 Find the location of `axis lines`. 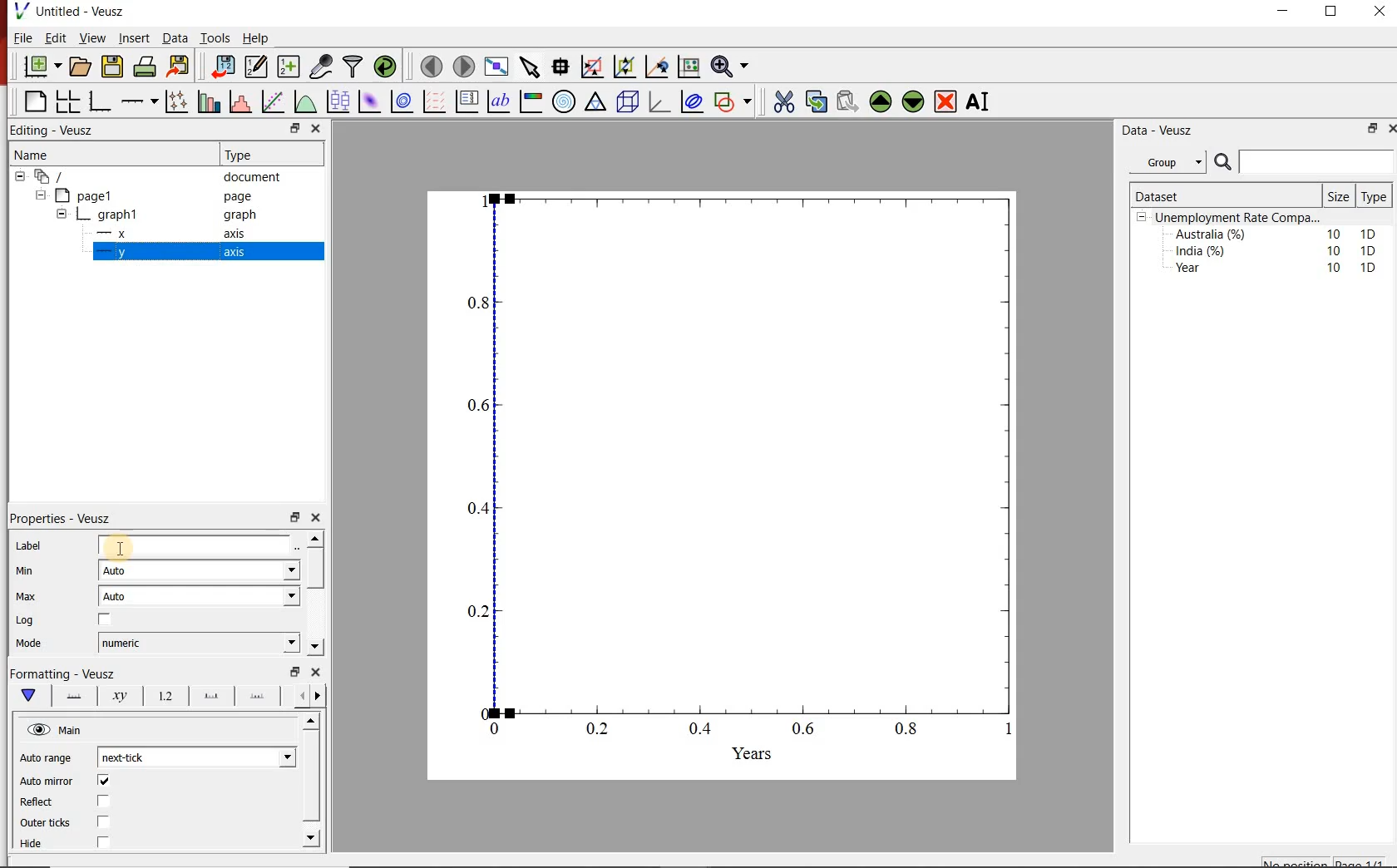

axis lines is located at coordinates (76, 697).